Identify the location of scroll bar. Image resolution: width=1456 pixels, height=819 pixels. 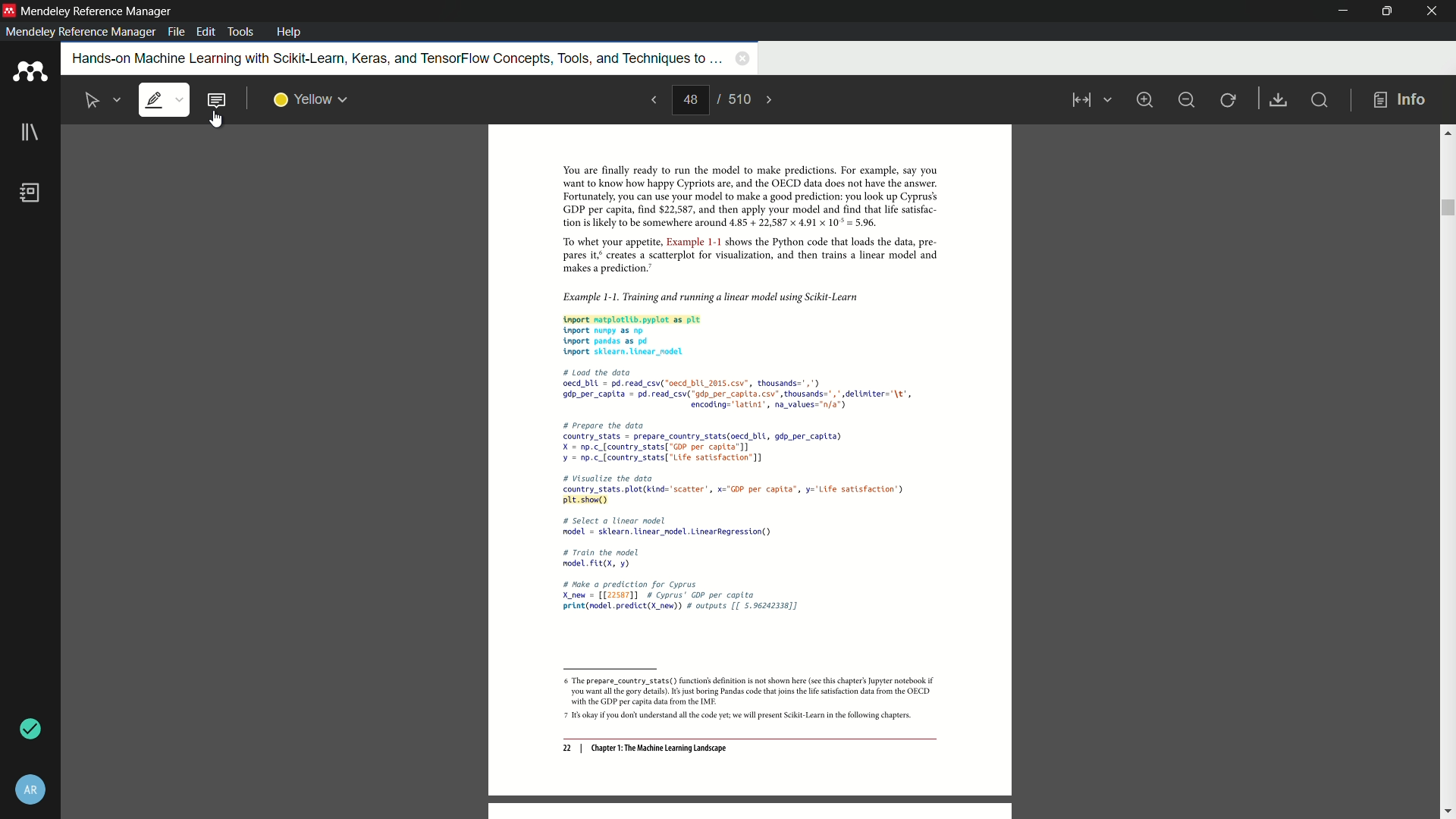
(1446, 208).